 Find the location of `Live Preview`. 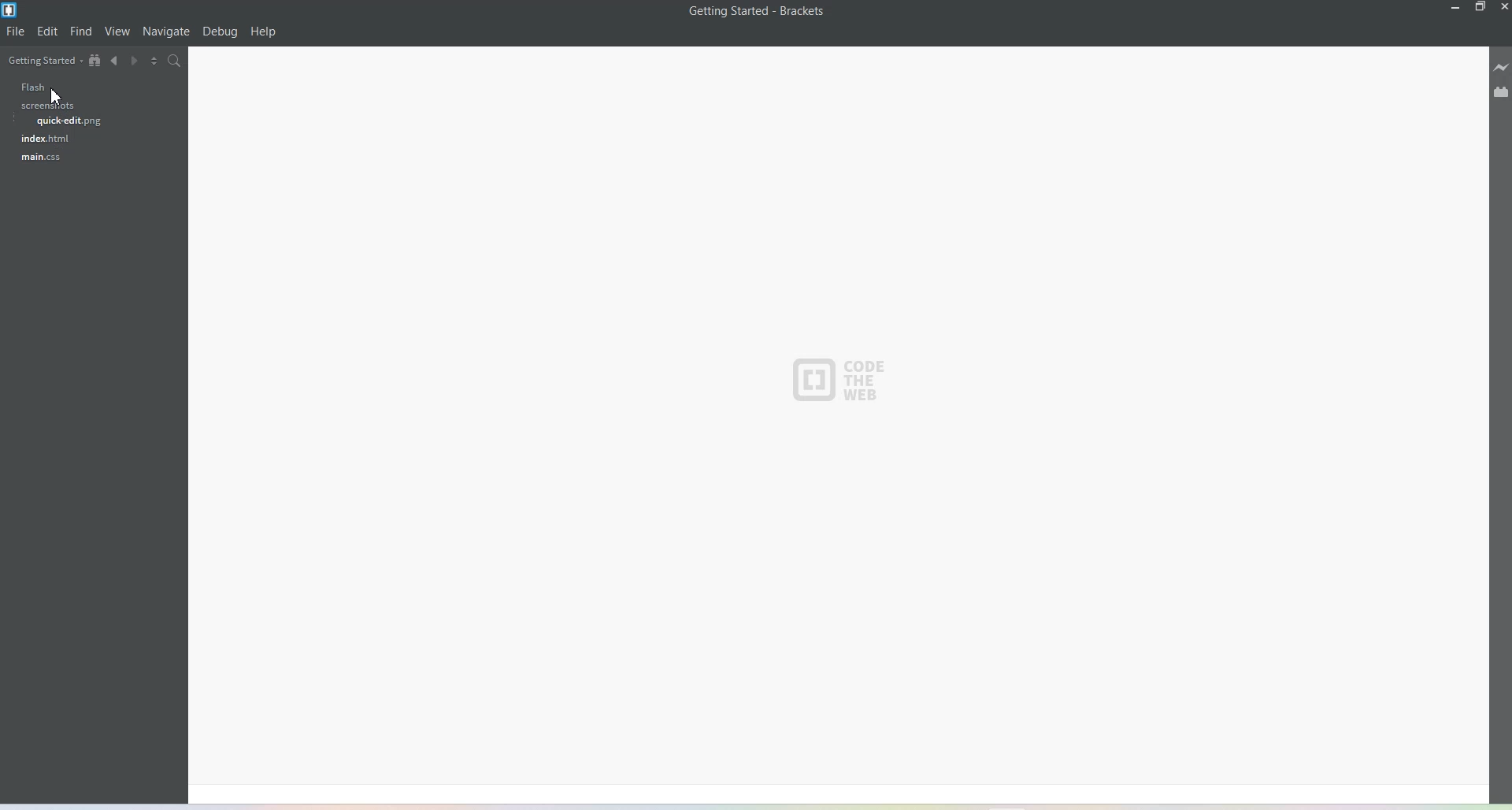

Live Preview is located at coordinates (1501, 69).